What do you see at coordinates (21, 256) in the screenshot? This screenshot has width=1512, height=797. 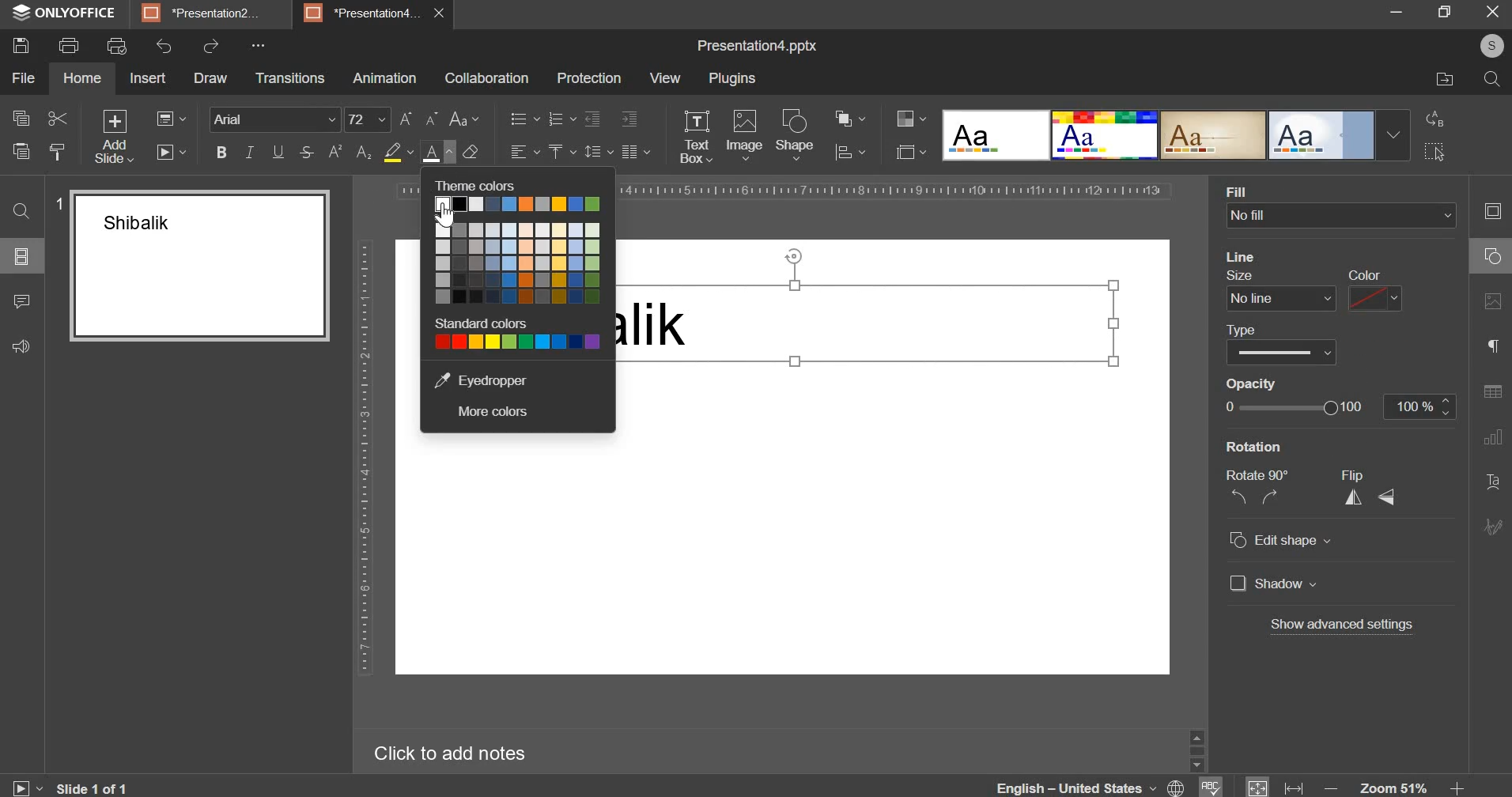 I see `slide menu` at bounding box center [21, 256].